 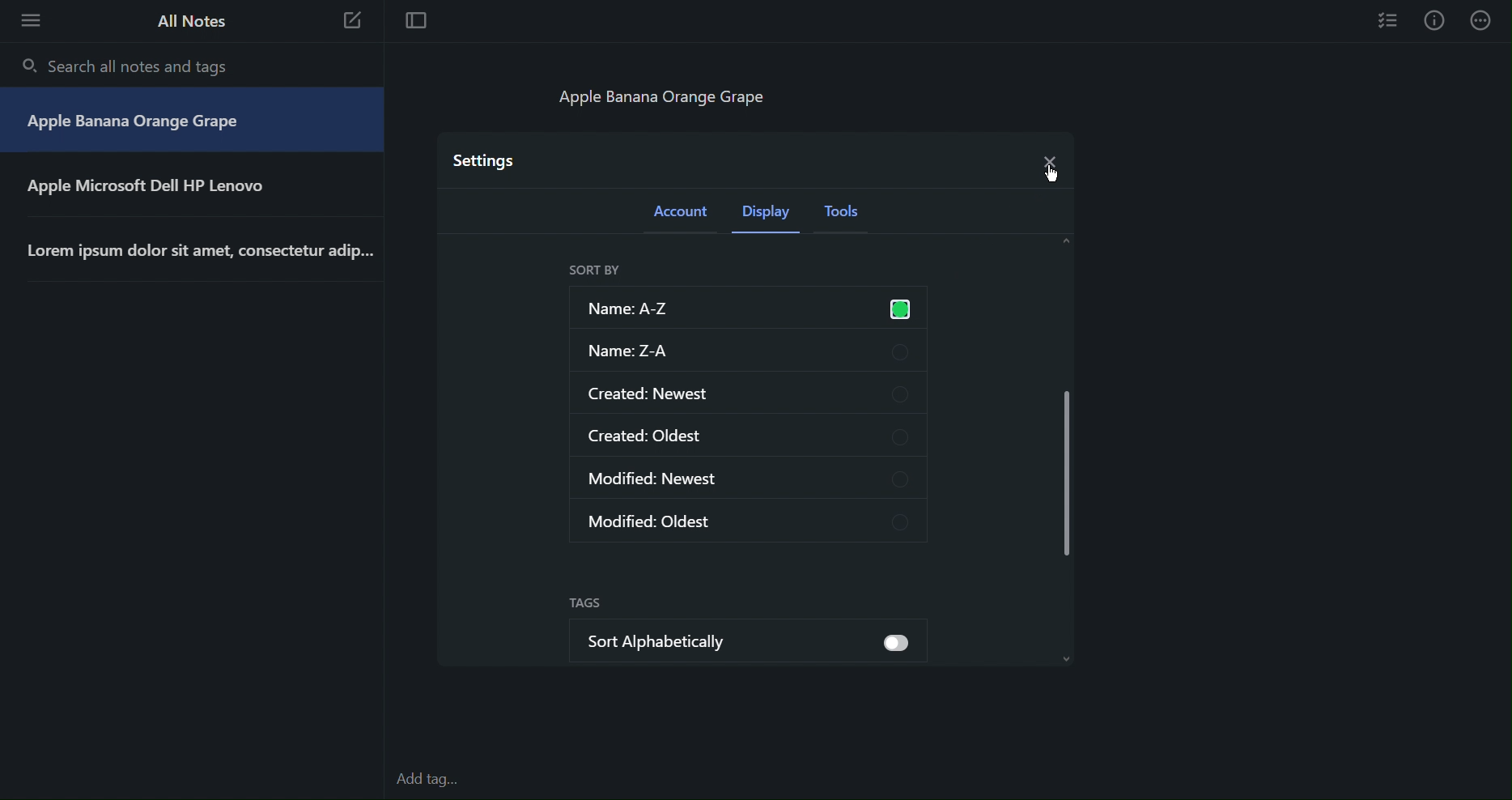 What do you see at coordinates (189, 21) in the screenshot?
I see `All Notes` at bounding box center [189, 21].